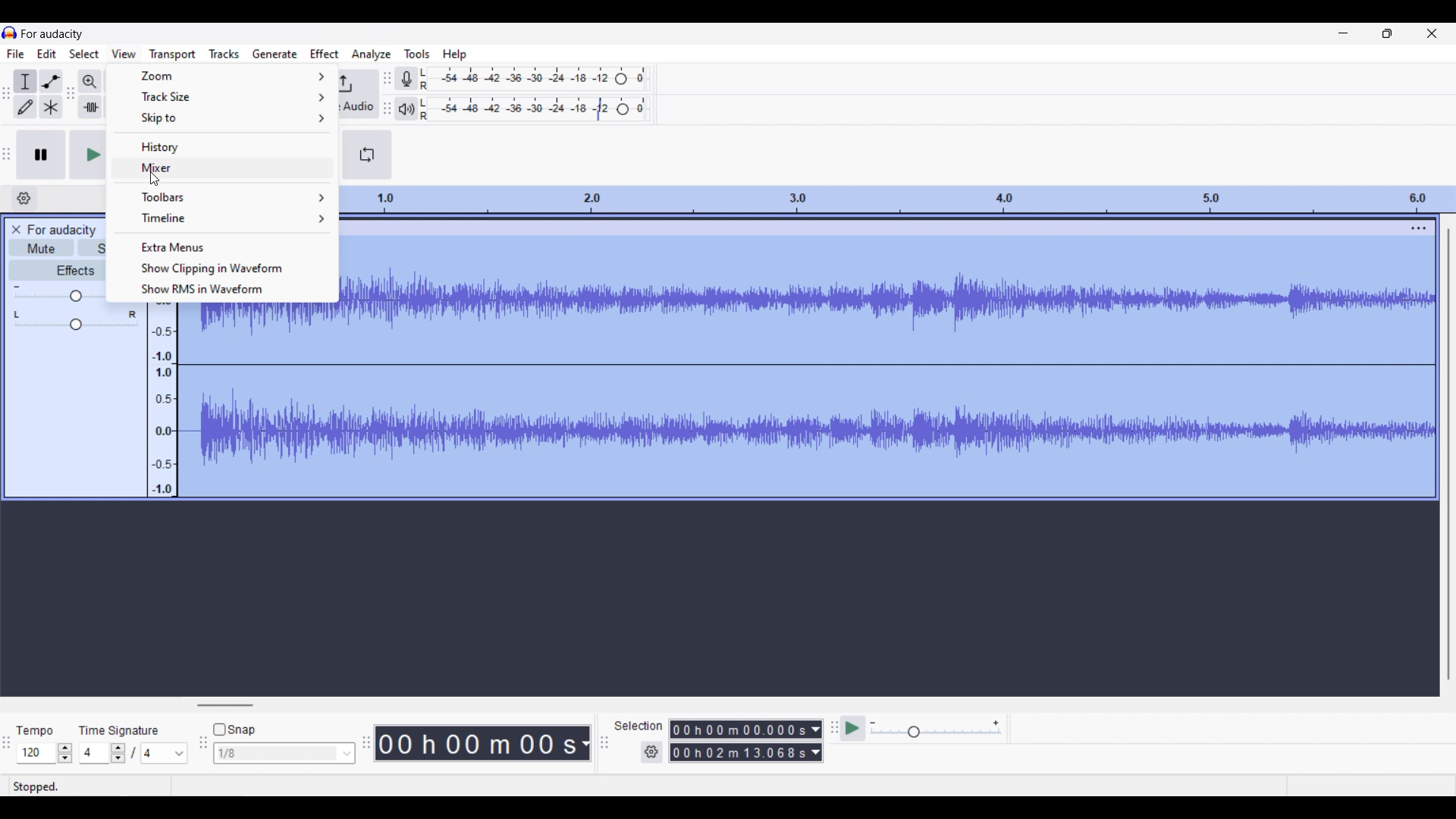 Image resolution: width=1456 pixels, height=819 pixels. What do you see at coordinates (225, 705) in the screenshot?
I see `Horizontal slide bar` at bounding box center [225, 705].